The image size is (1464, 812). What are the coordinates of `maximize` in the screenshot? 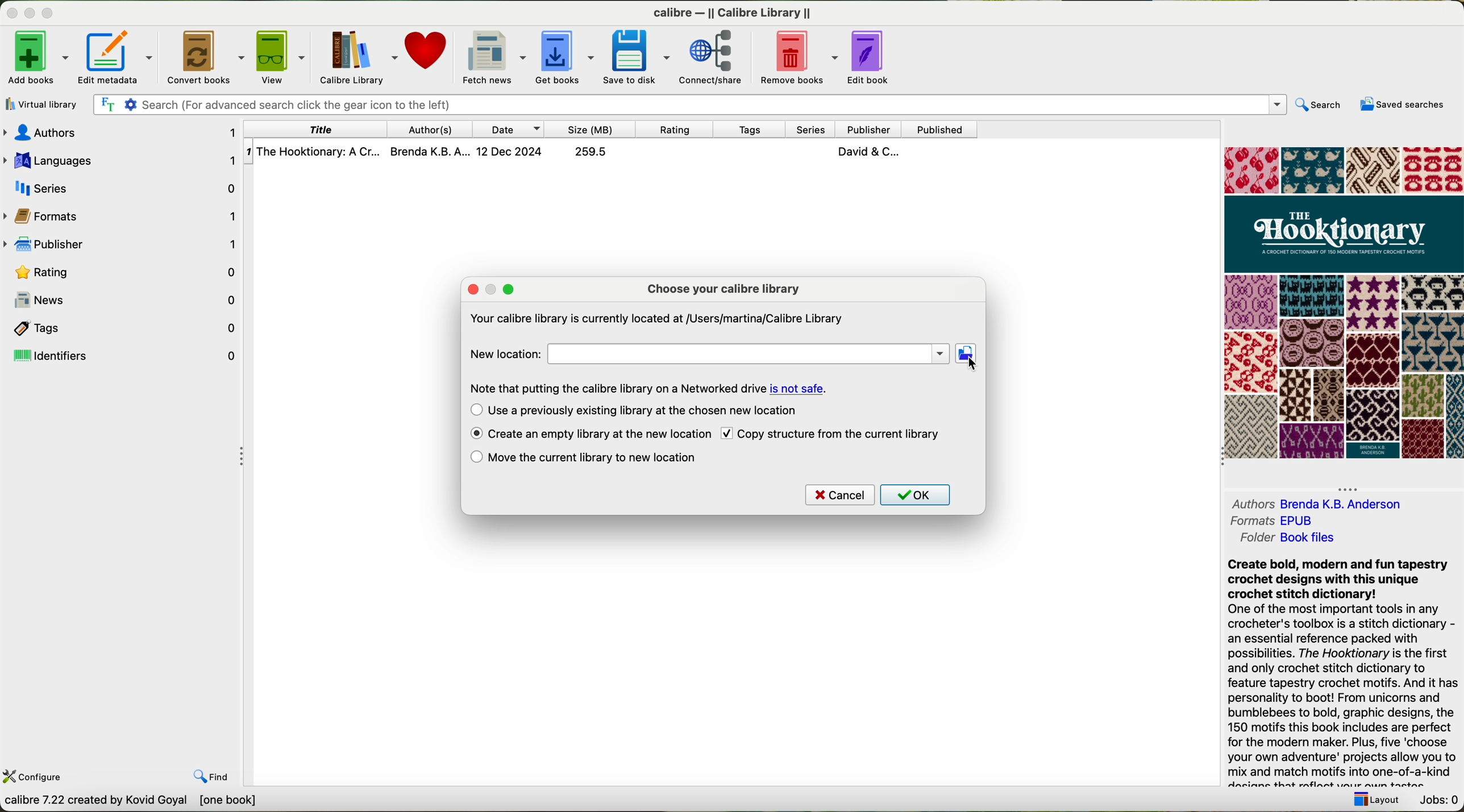 It's located at (48, 13).